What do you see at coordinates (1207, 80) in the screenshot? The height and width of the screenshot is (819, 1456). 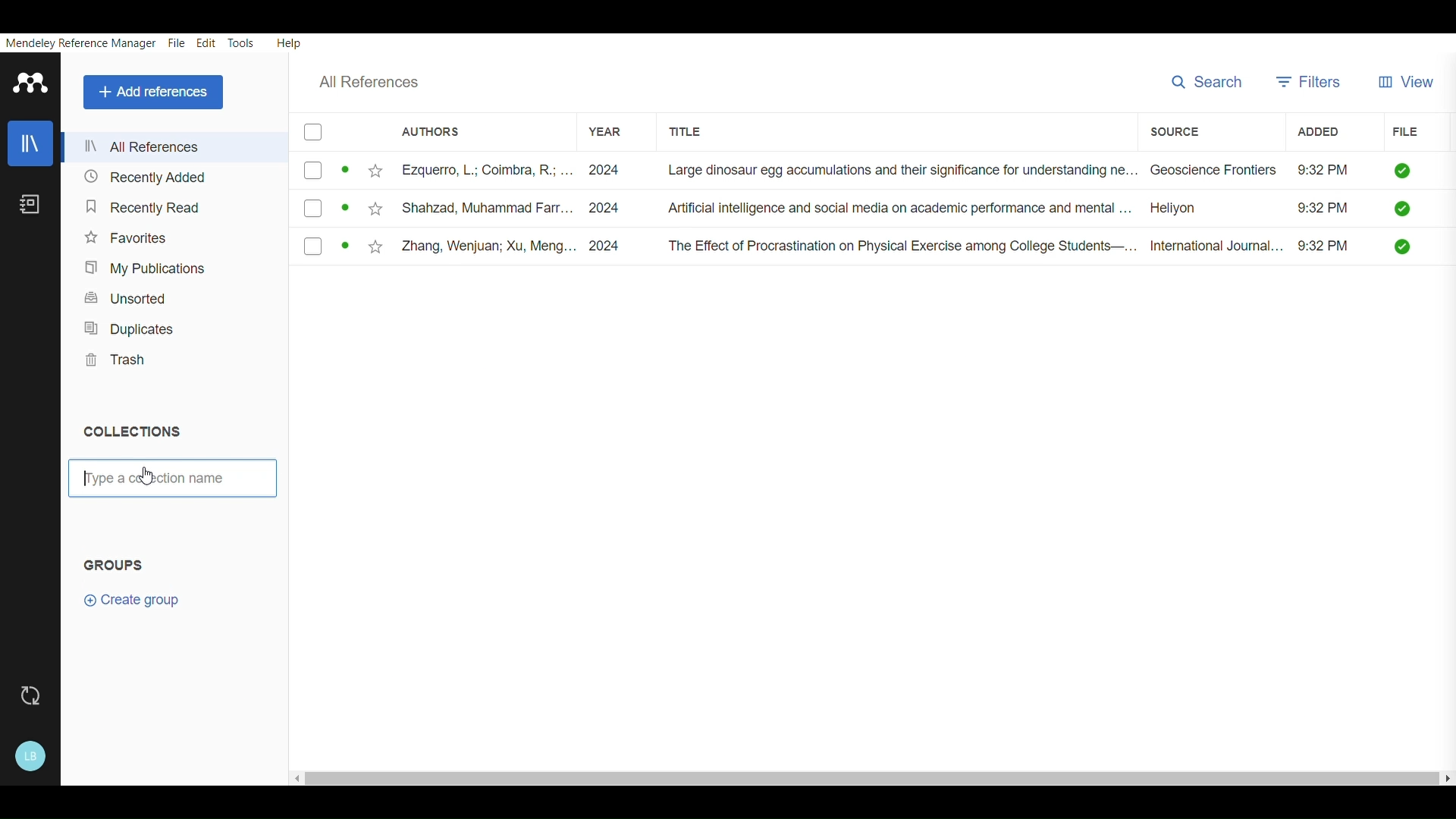 I see `Search` at bounding box center [1207, 80].